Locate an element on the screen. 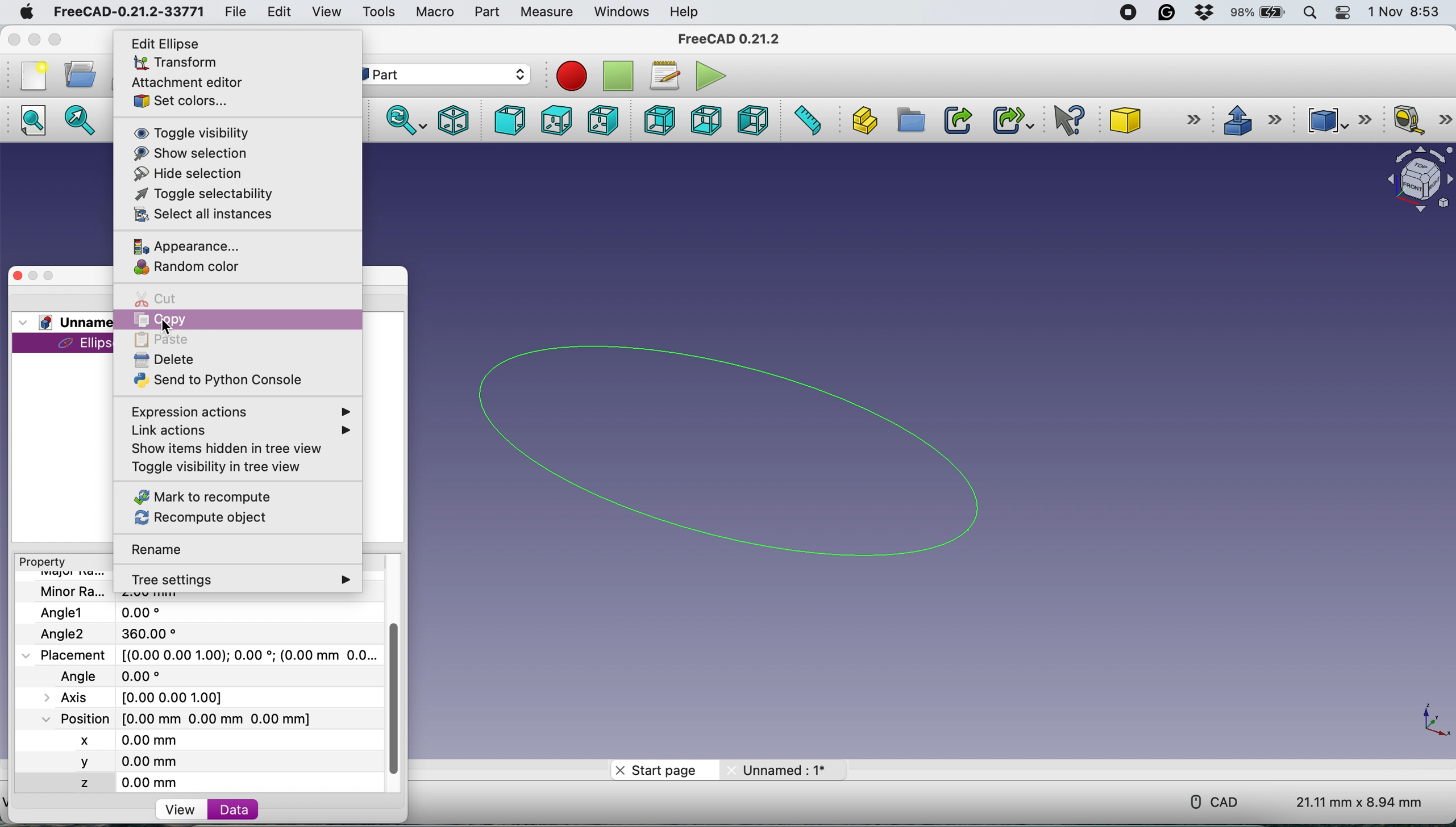 This screenshot has height=827, width=1456. rear is located at coordinates (661, 119).